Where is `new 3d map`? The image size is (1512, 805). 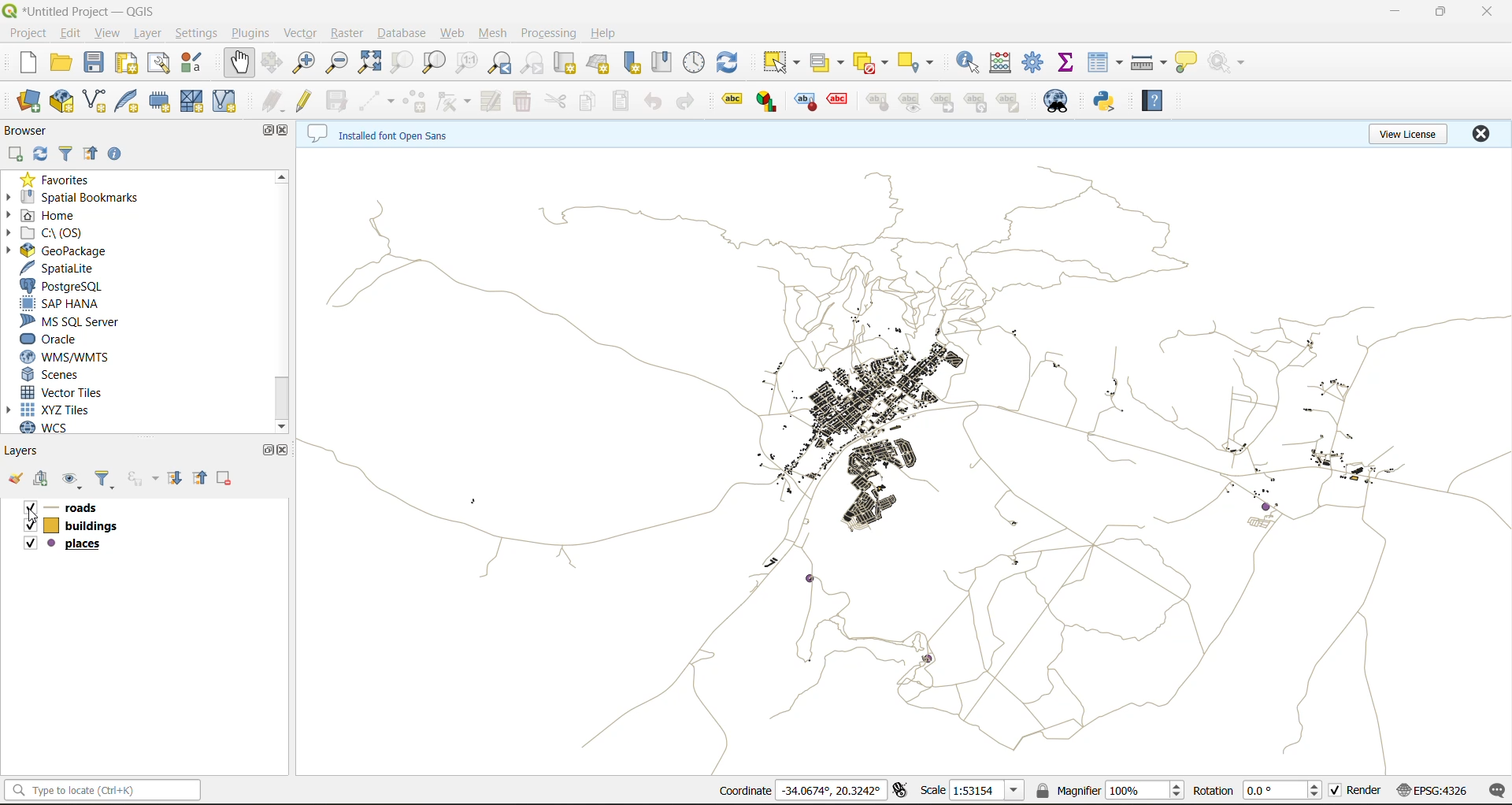
new 3d map is located at coordinates (599, 61).